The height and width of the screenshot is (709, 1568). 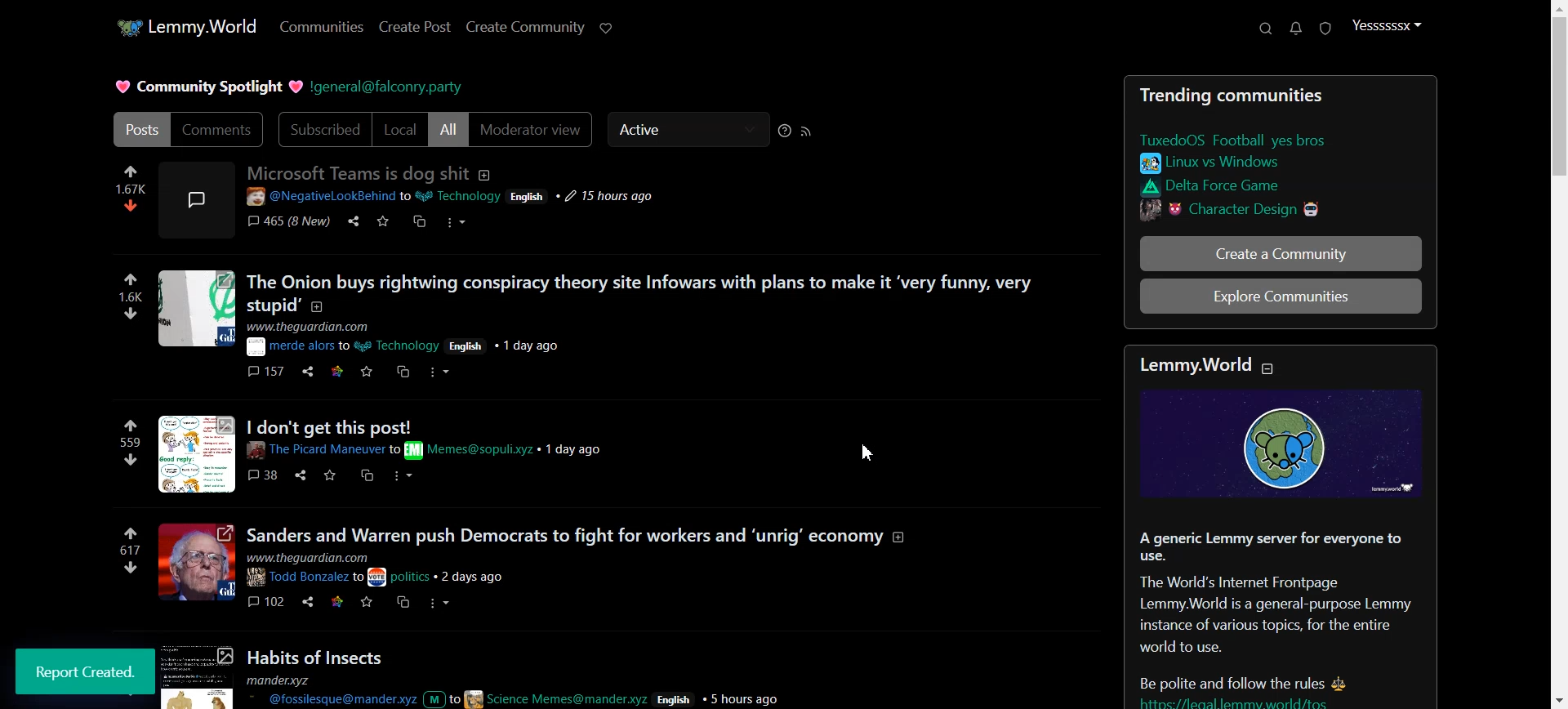 I want to click on image, so click(x=1290, y=447).